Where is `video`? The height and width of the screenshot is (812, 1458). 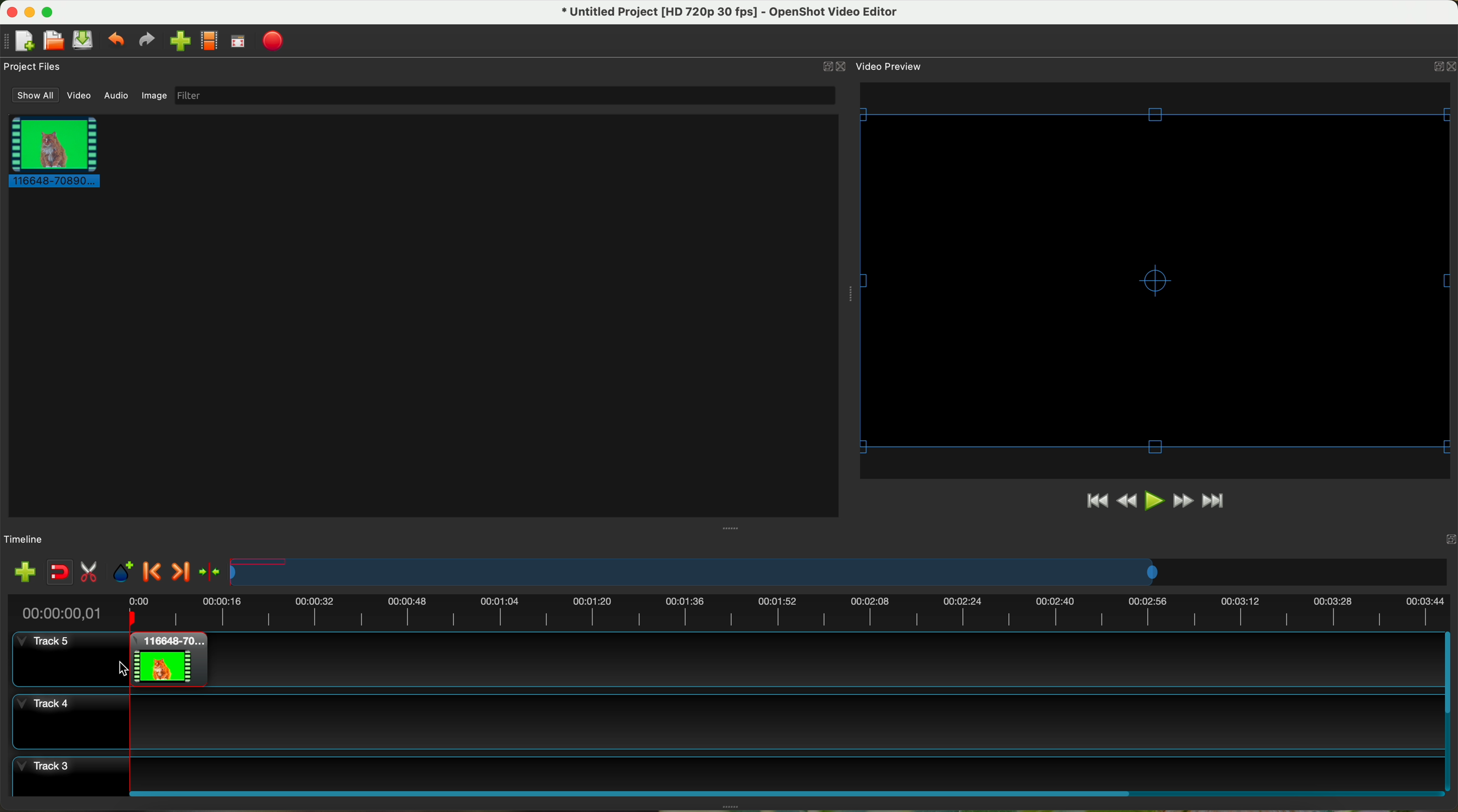
video is located at coordinates (80, 96).